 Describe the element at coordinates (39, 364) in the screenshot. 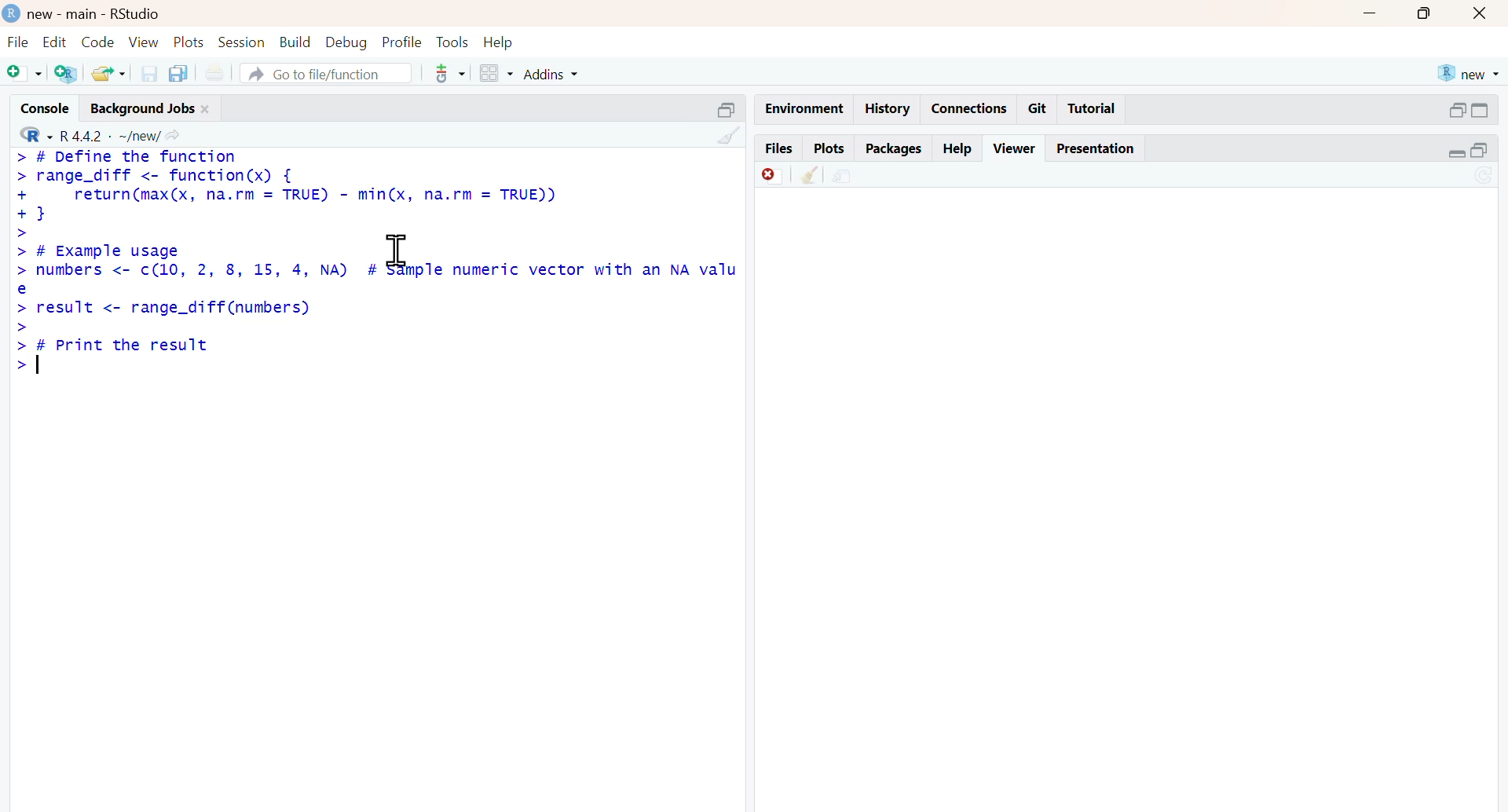

I see `typing indicator` at that location.